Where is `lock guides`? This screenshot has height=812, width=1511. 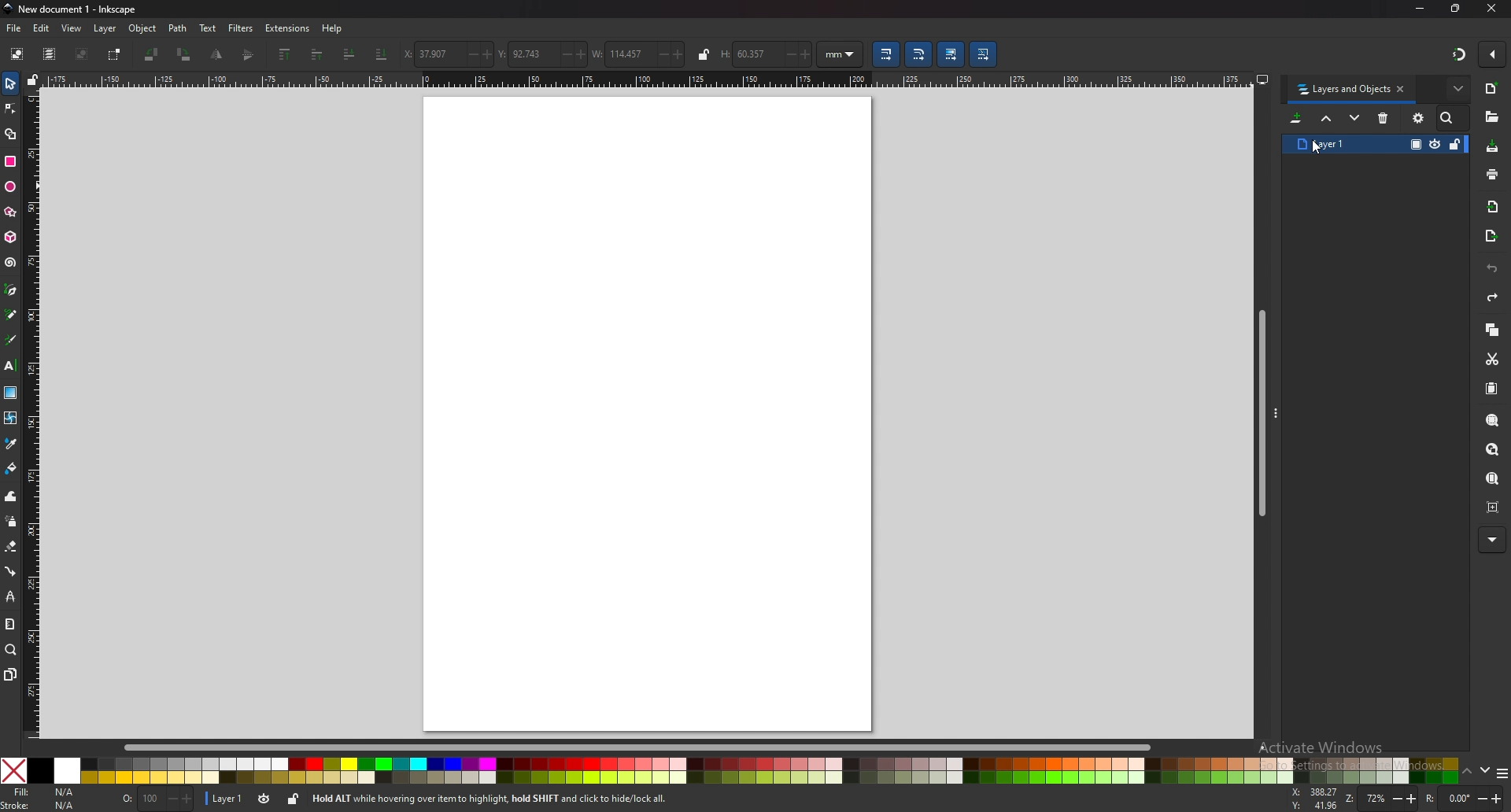 lock guides is located at coordinates (33, 79).